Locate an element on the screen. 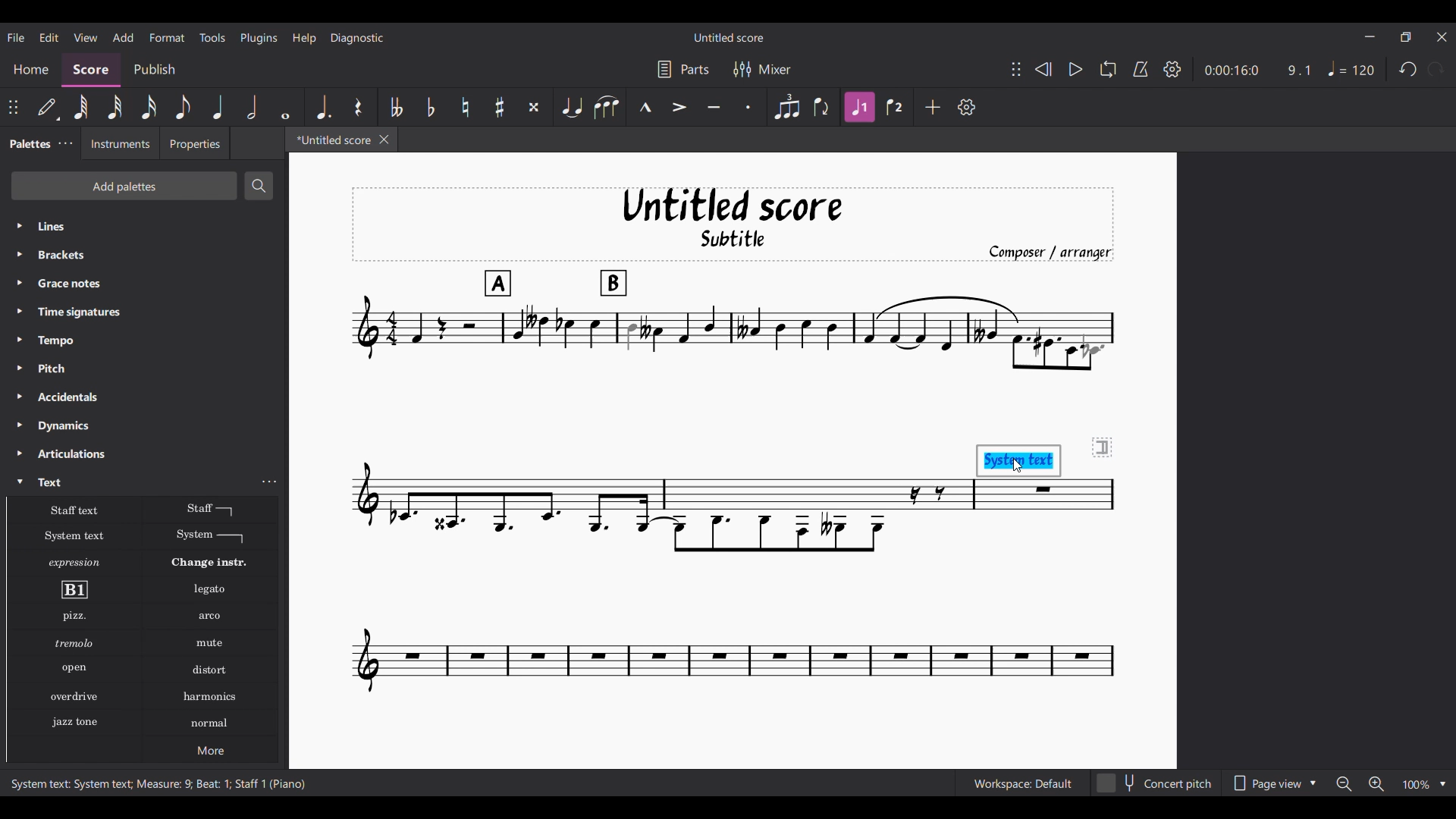 Image resolution: width=1456 pixels, height=819 pixels. Arko is located at coordinates (210, 617).